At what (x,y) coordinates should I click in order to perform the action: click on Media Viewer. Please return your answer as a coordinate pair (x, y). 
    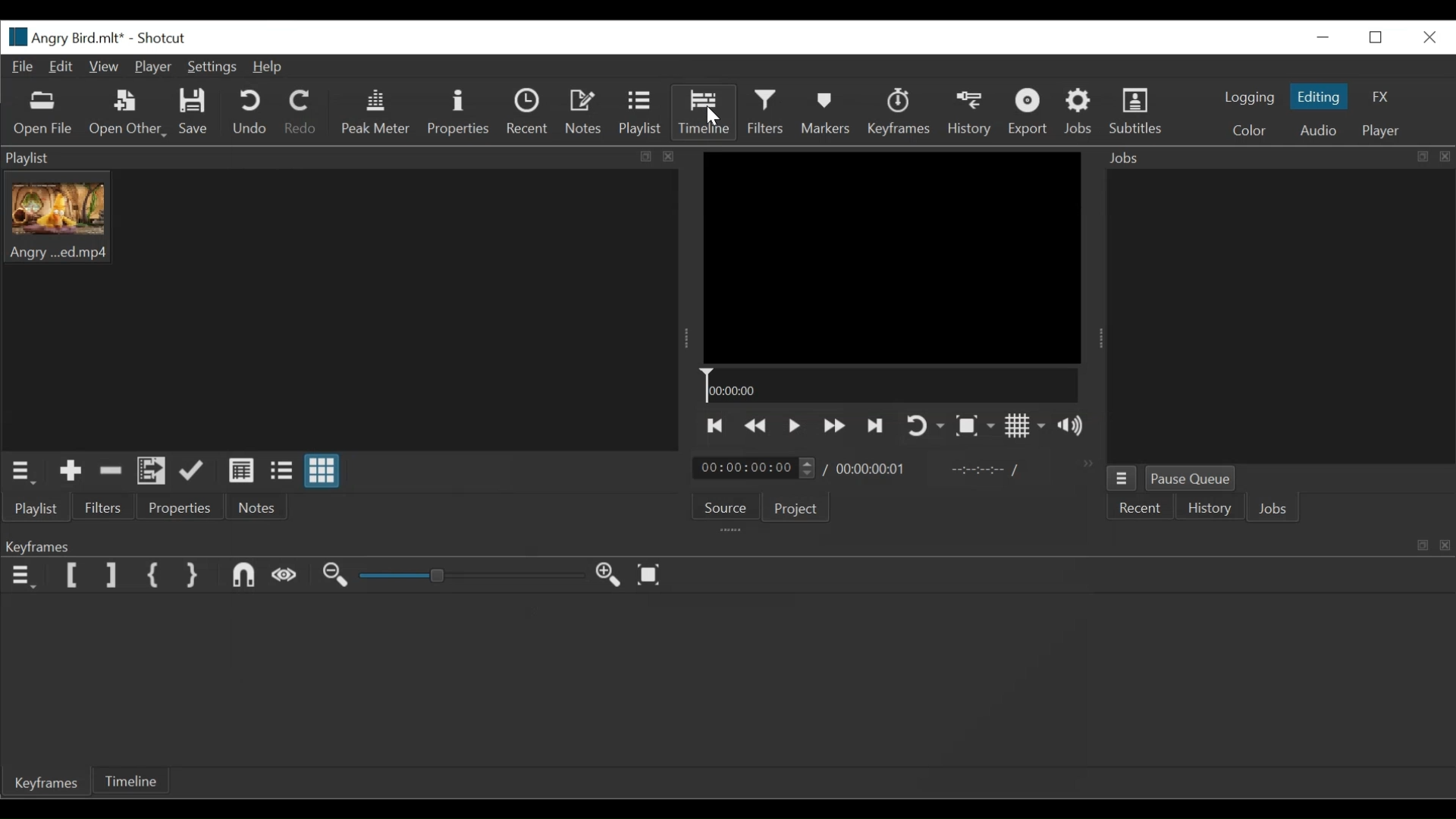
    Looking at the image, I should click on (891, 257).